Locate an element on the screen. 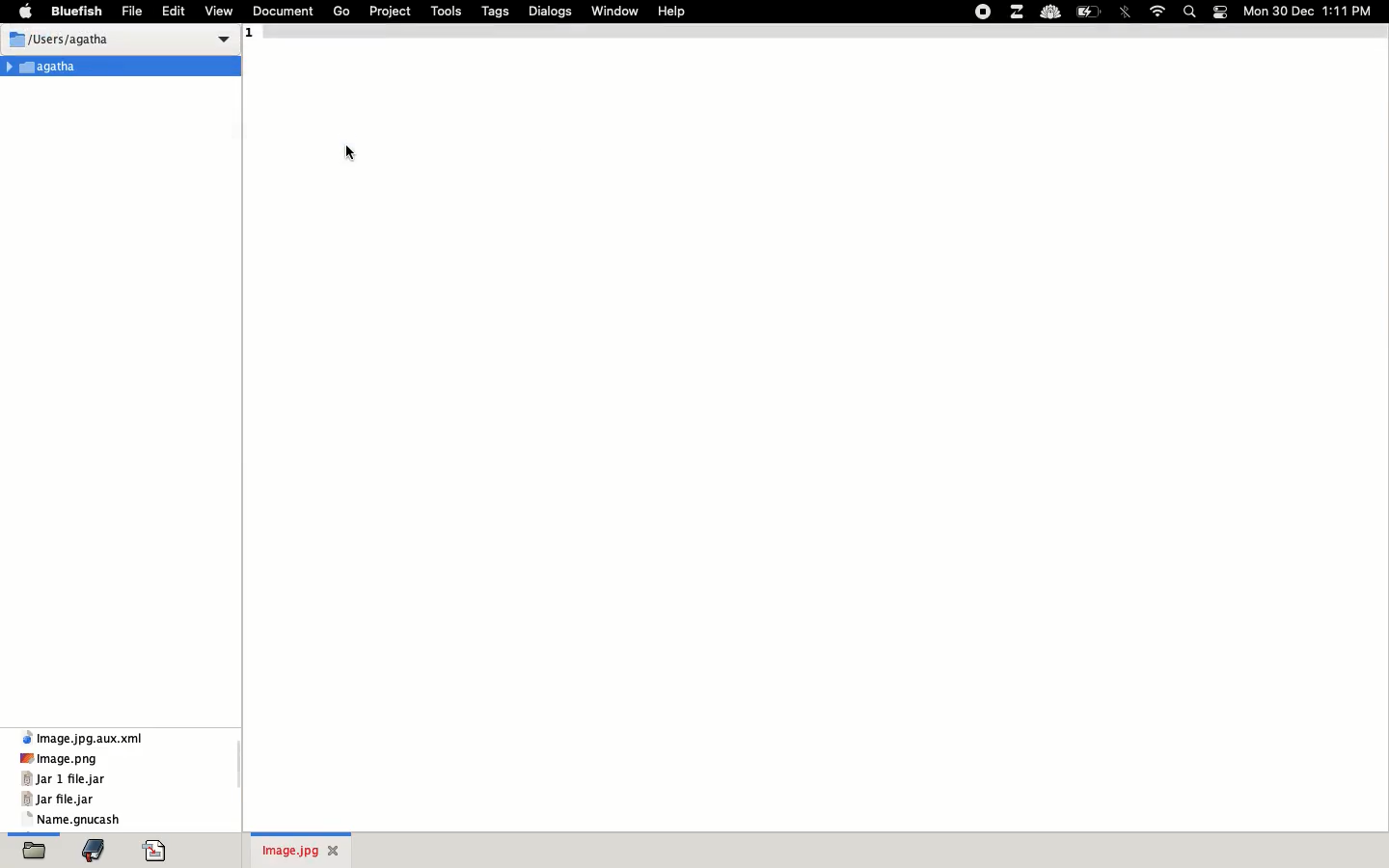 This screenshot has height=868, width=1389. apple is located at coordinates (30, 10).